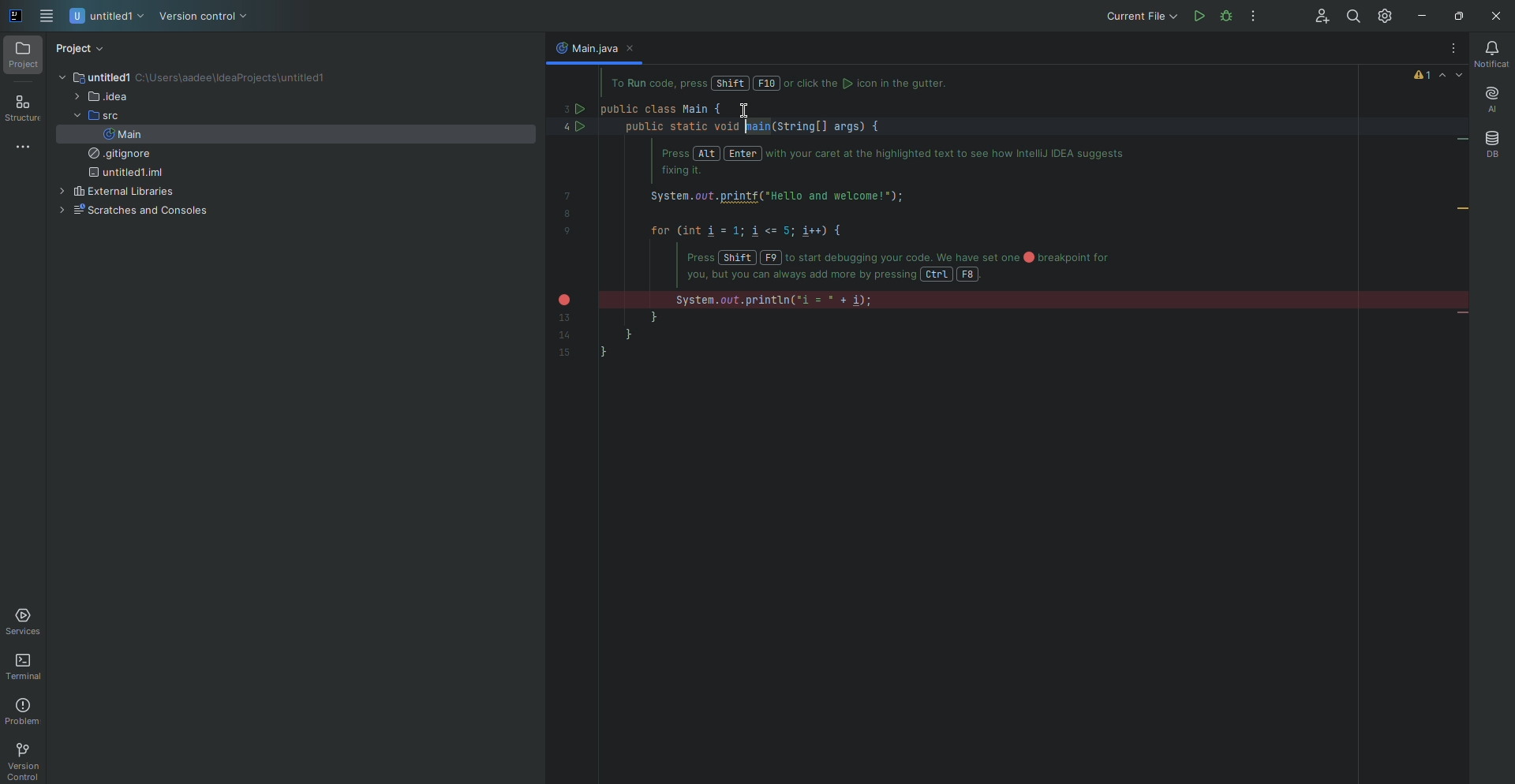  I want to click on Scratches and Consoles, so click(130, 211).